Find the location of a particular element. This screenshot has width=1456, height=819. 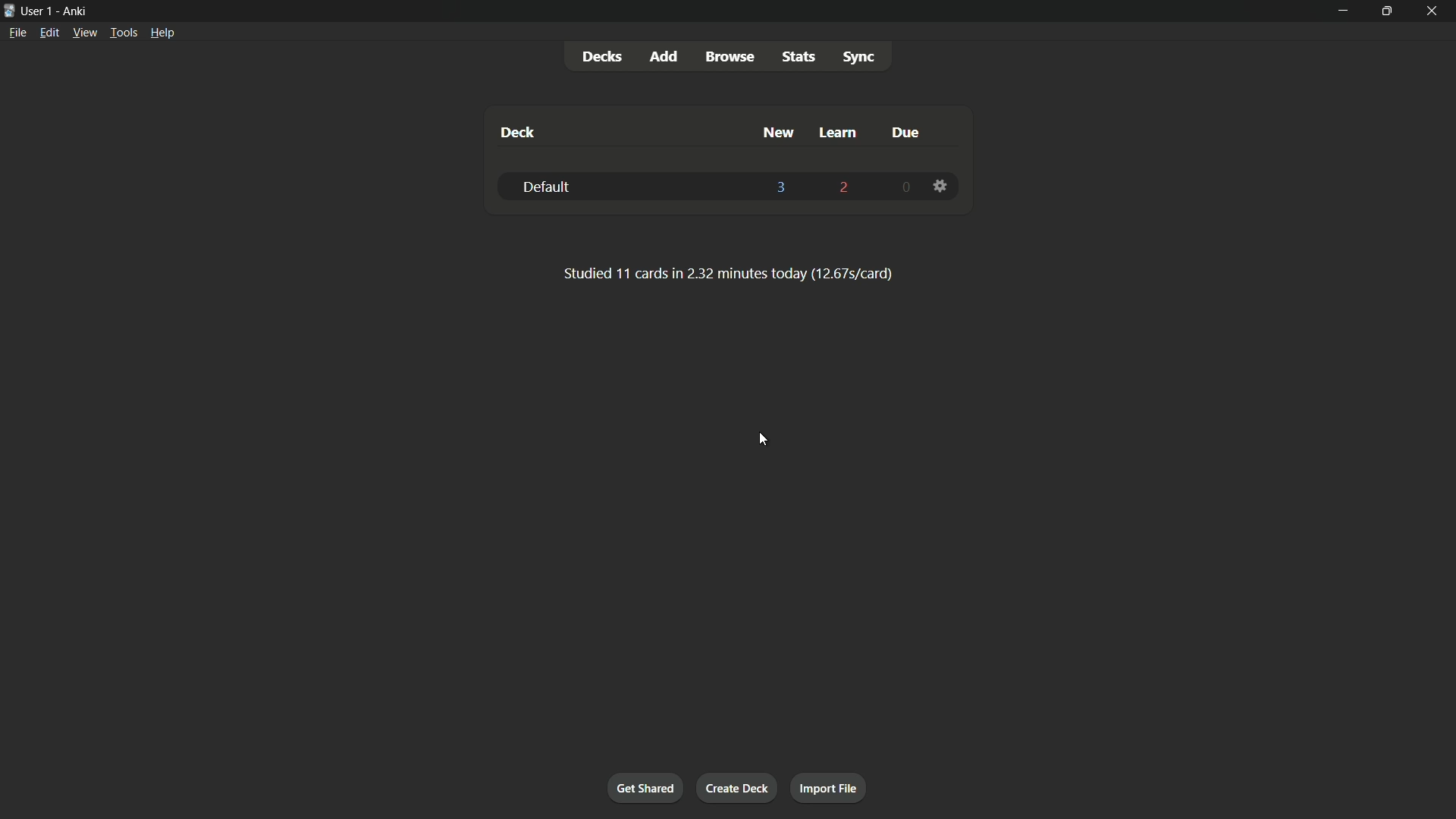

create deck is located at coordinates (736, 786).